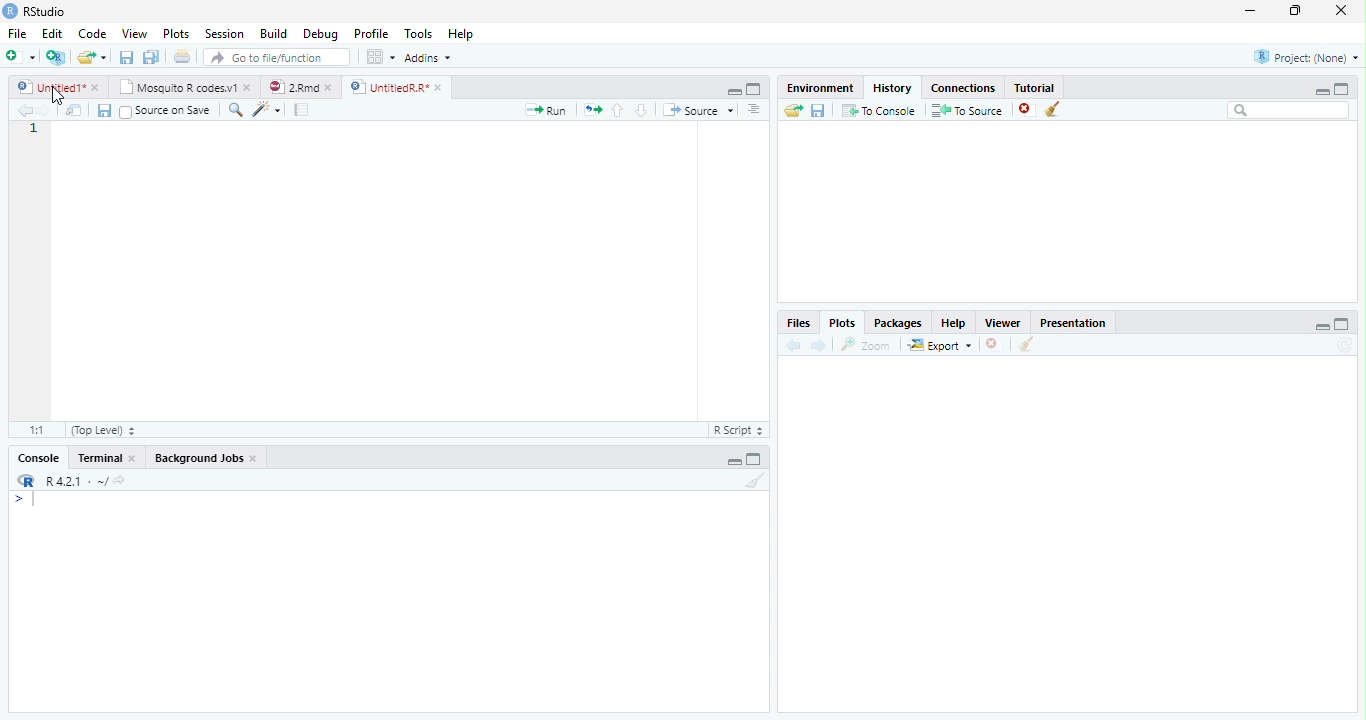 Image resolution: width=1366 pixels, height=720 pixels. What do you see at coordinates (1347, 345) in the screenshot?
I see `Refresh current plot` at bounding box center [1347, 345].